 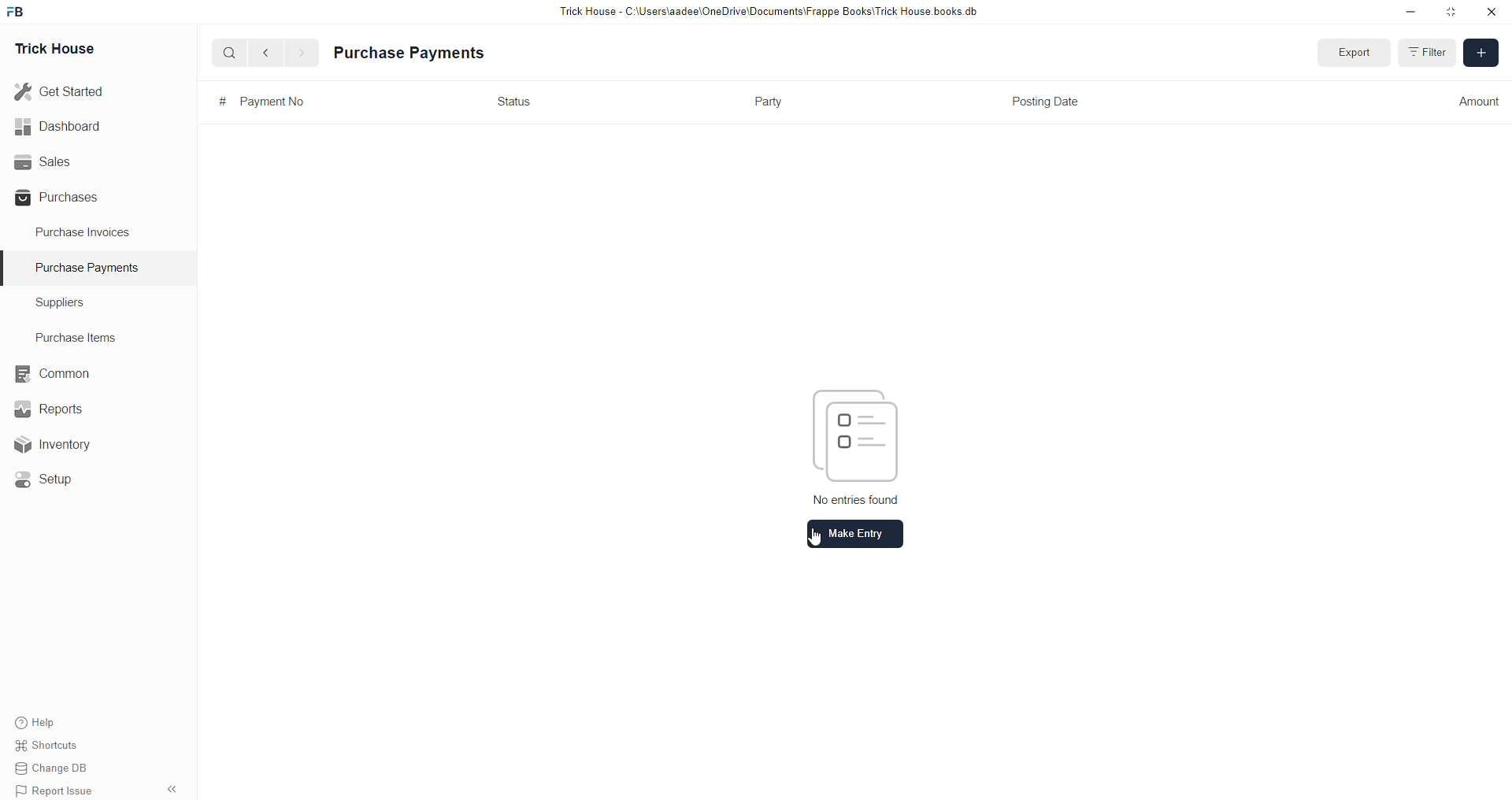 I want to click on Reports, so click(x=54, y=407).